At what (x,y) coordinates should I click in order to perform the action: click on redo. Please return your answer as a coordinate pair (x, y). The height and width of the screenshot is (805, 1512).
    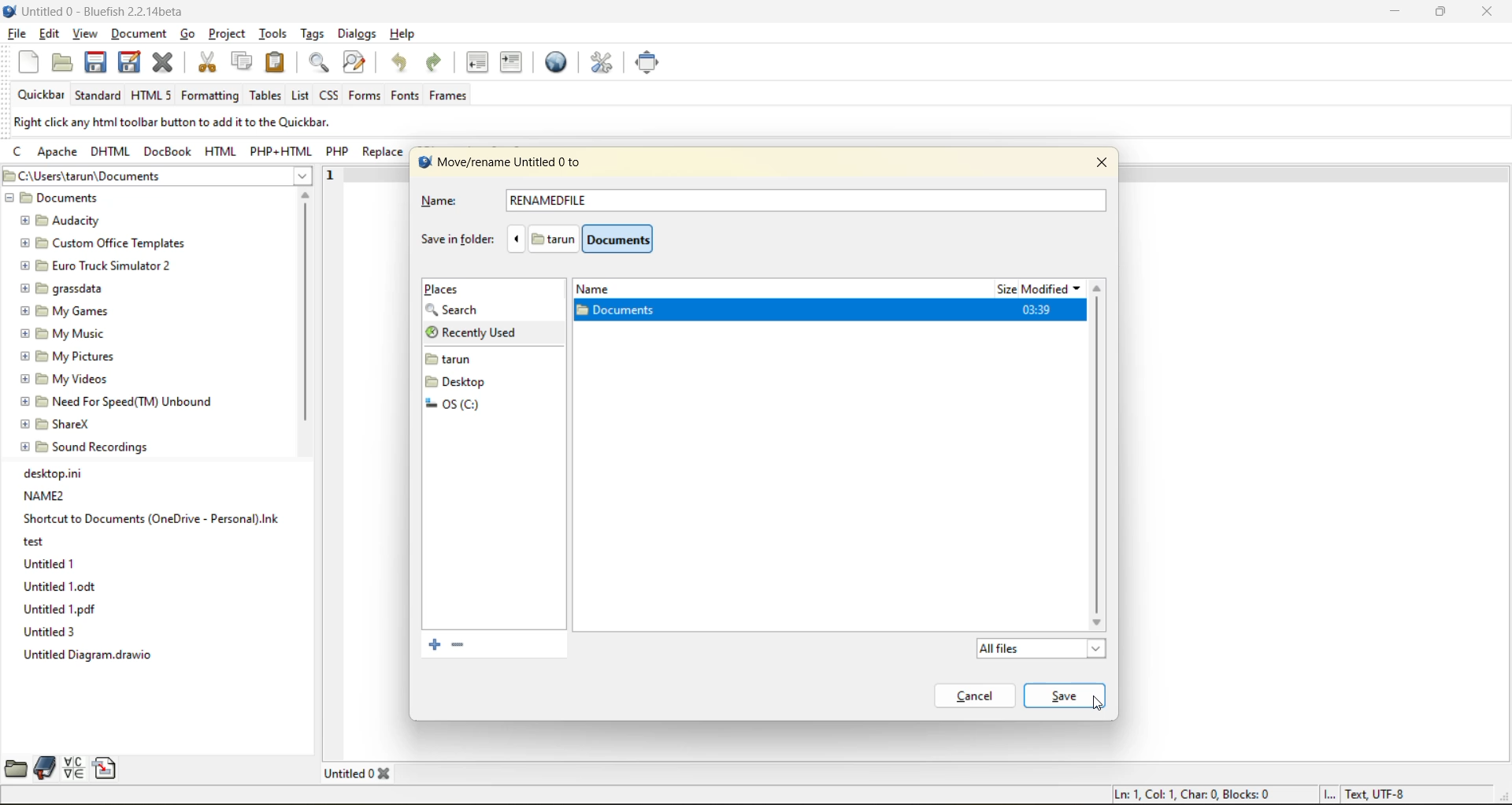
    Looking at the image, I should click on (442, 67).